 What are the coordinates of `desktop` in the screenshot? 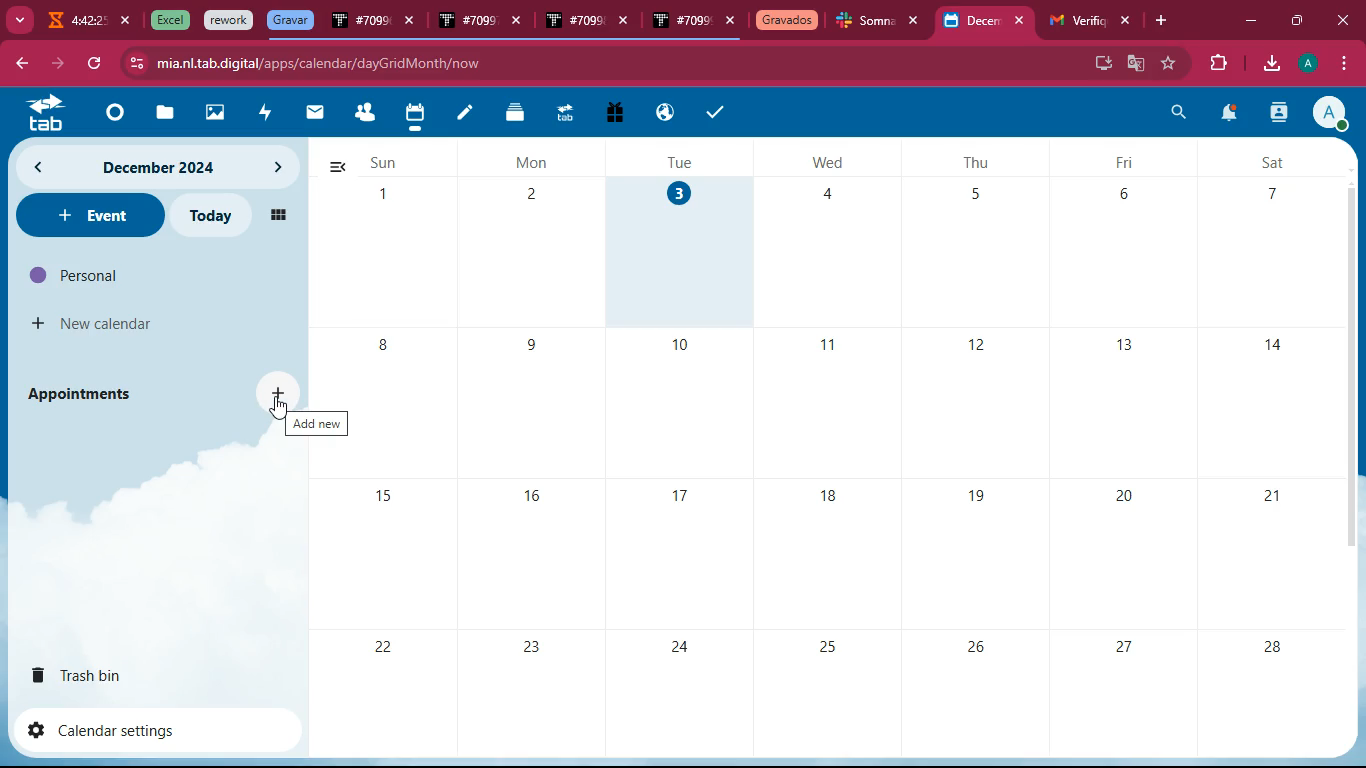 It's located at (1100, 61).